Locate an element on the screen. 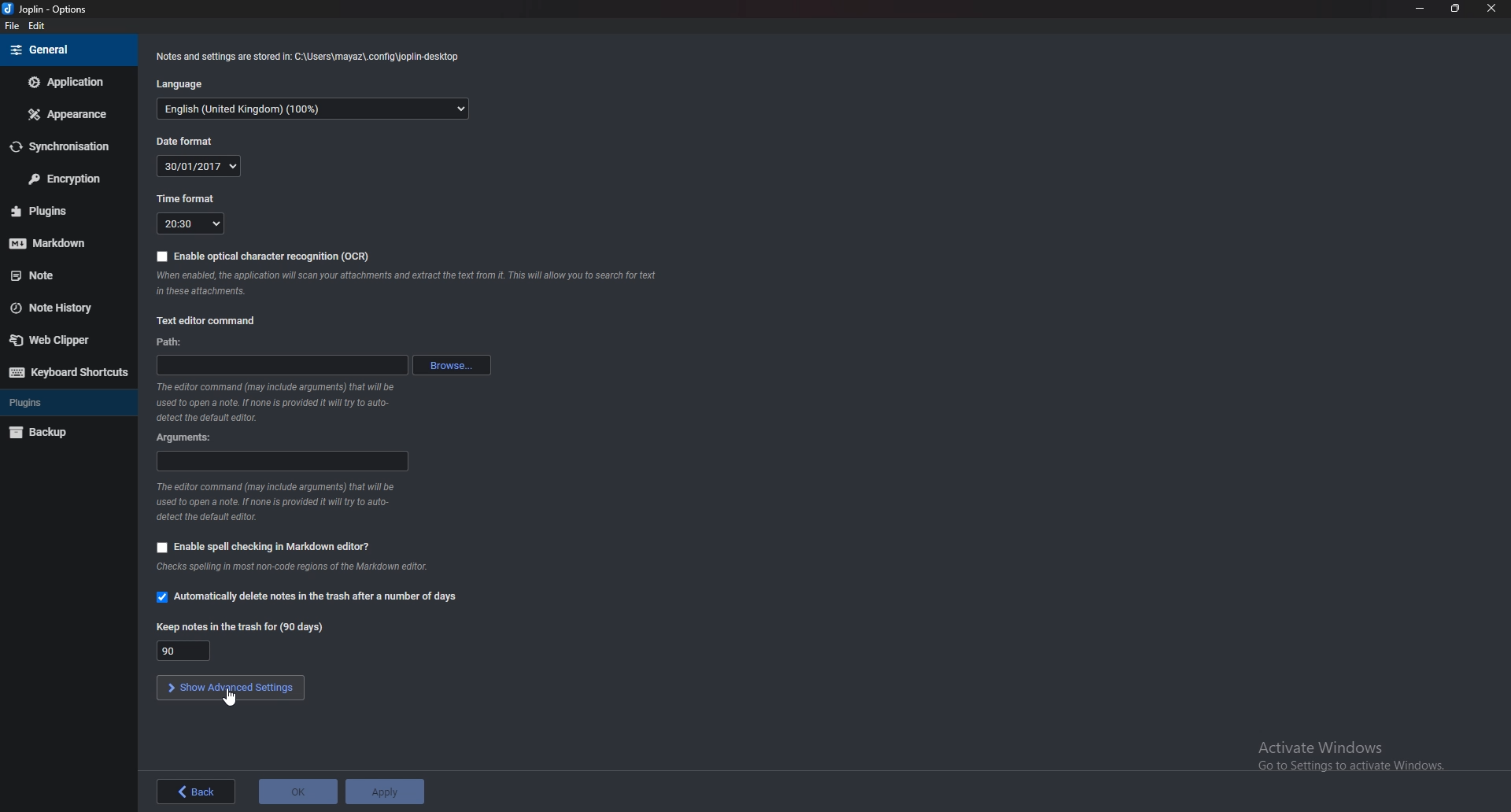 This screenshot has height=812, width=1511. Info is located at coordinates (306, 567).